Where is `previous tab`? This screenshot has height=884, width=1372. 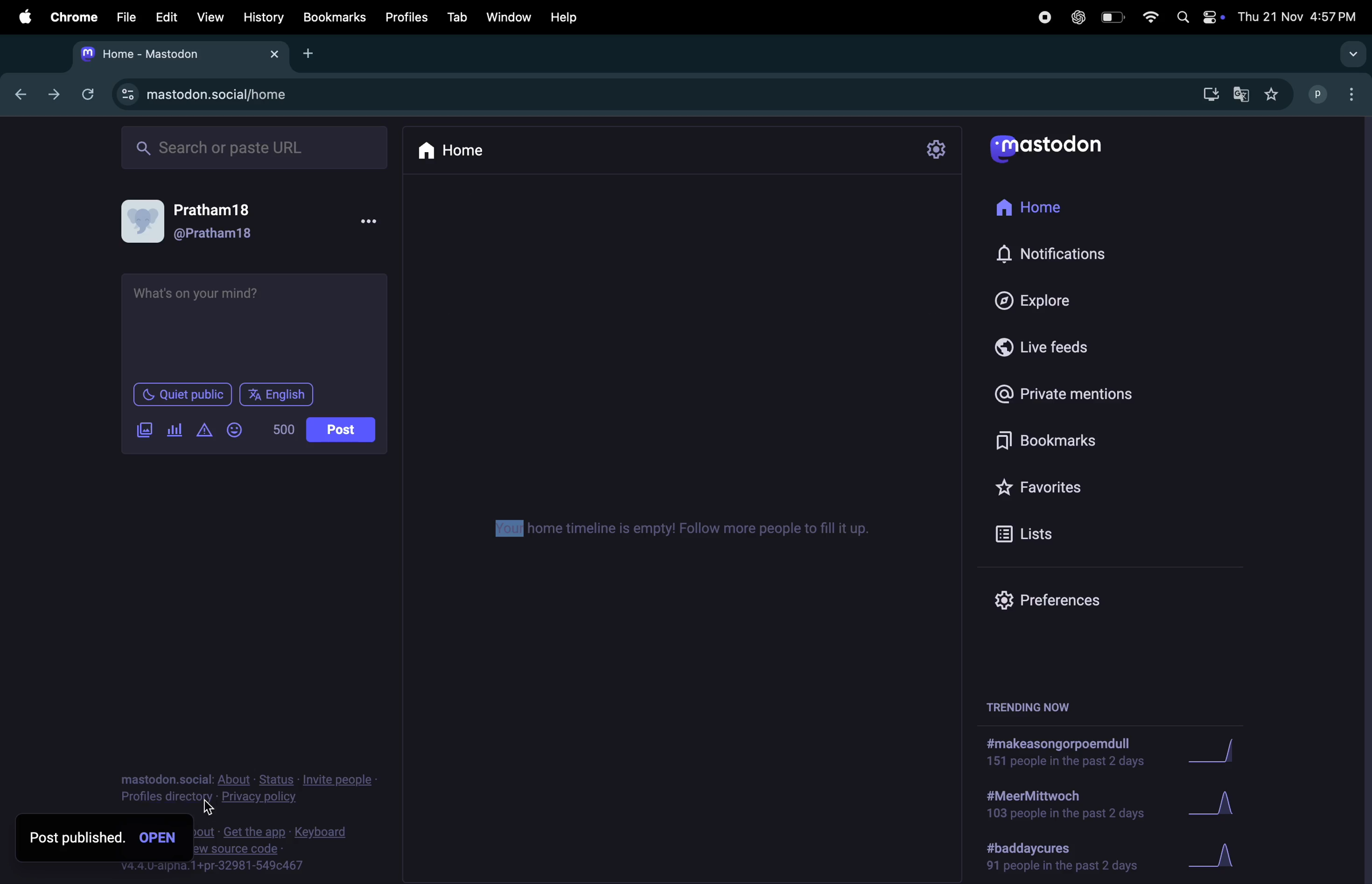
previous tab is located at coordinates (24, 94).